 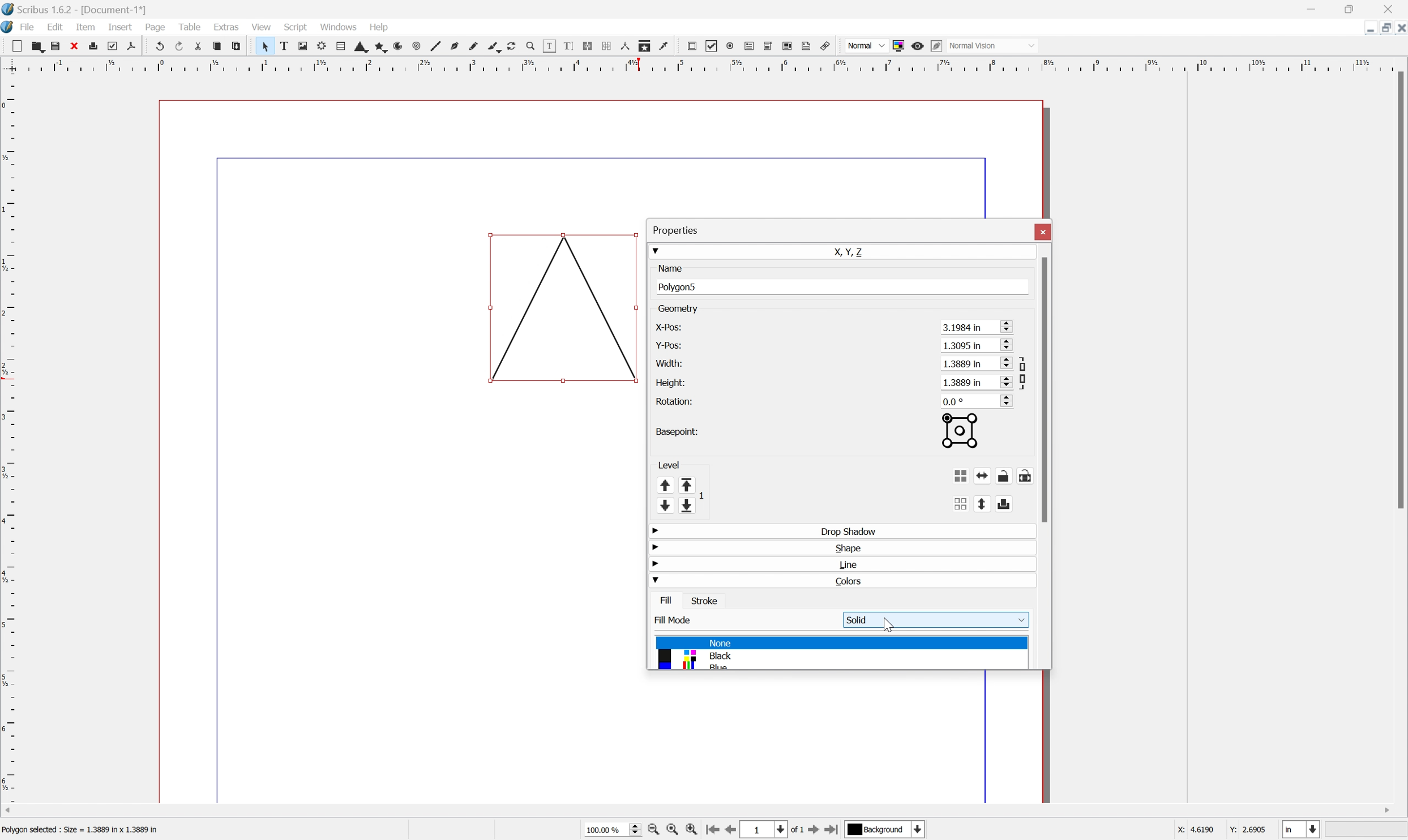 I want to click on Select current page, so click(x=777, y=829).